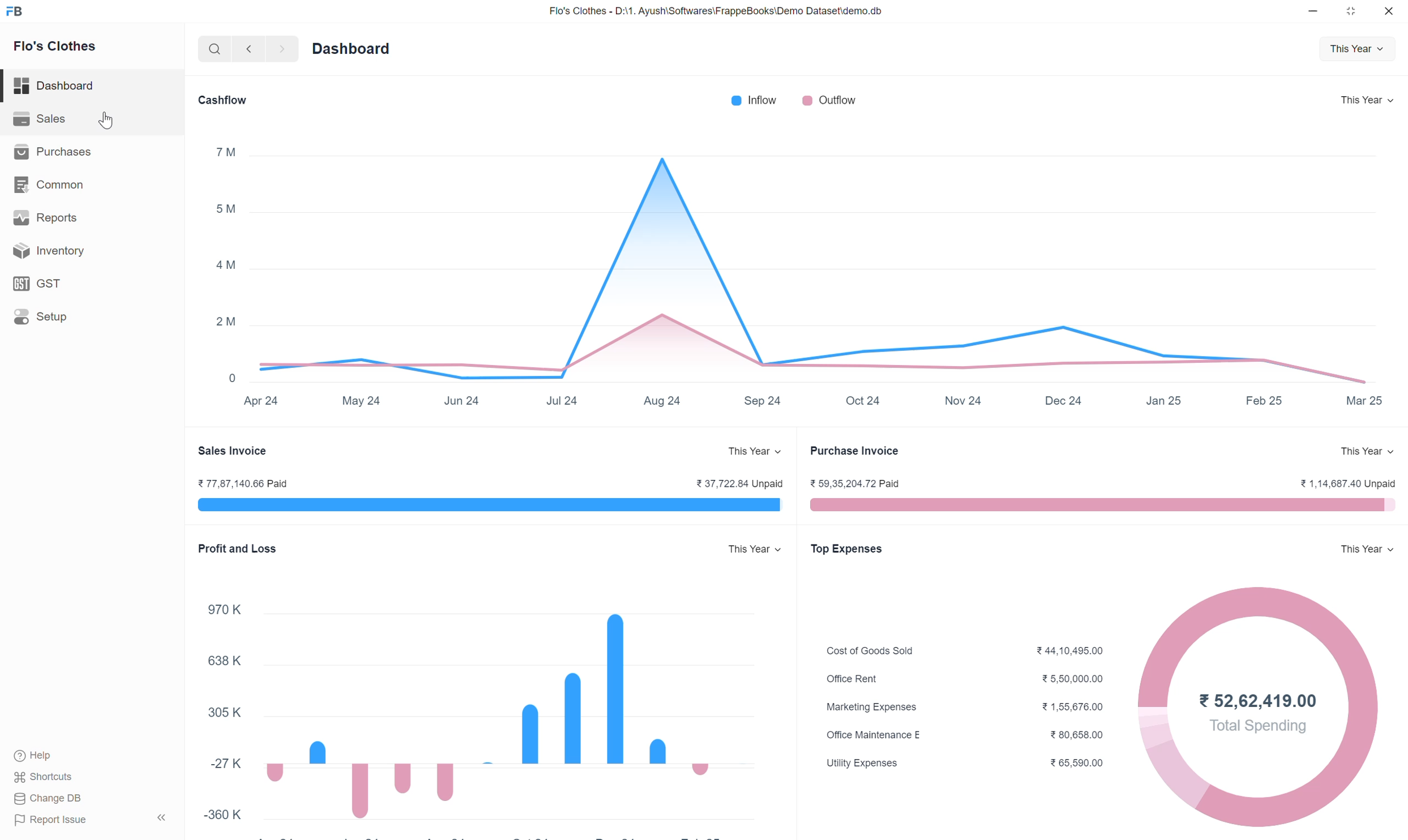 Image resolution: width=1408 pixels, height=840 pixels. What do you see at coordinates (872, 680) in the screenshot?
I see `Office Rent` at bounding box center [872, 680].